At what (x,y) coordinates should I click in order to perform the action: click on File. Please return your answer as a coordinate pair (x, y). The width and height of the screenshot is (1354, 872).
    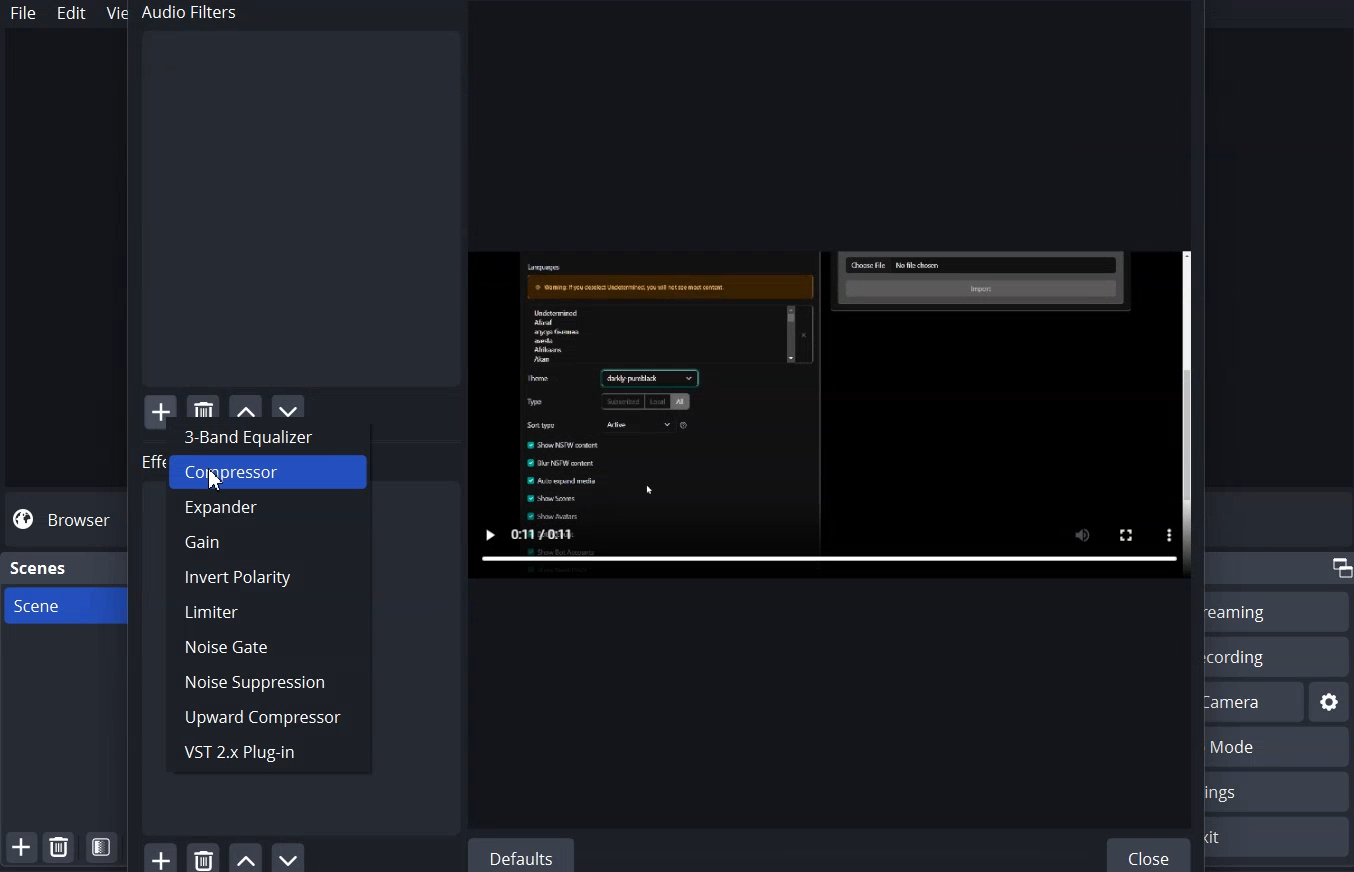
    Looking at the image, I should click on (23, 13).